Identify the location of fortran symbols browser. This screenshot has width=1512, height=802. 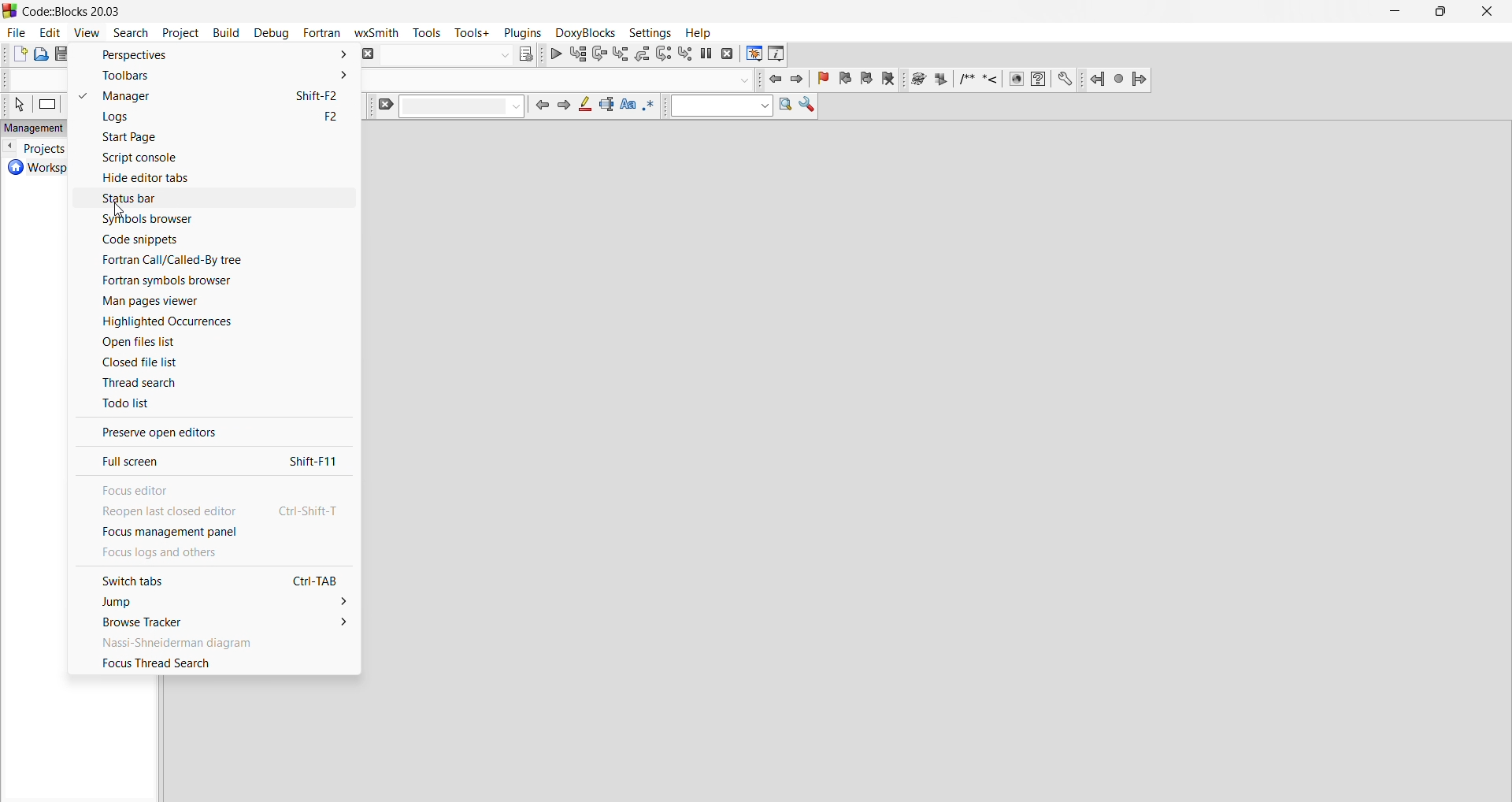
(215, 283).